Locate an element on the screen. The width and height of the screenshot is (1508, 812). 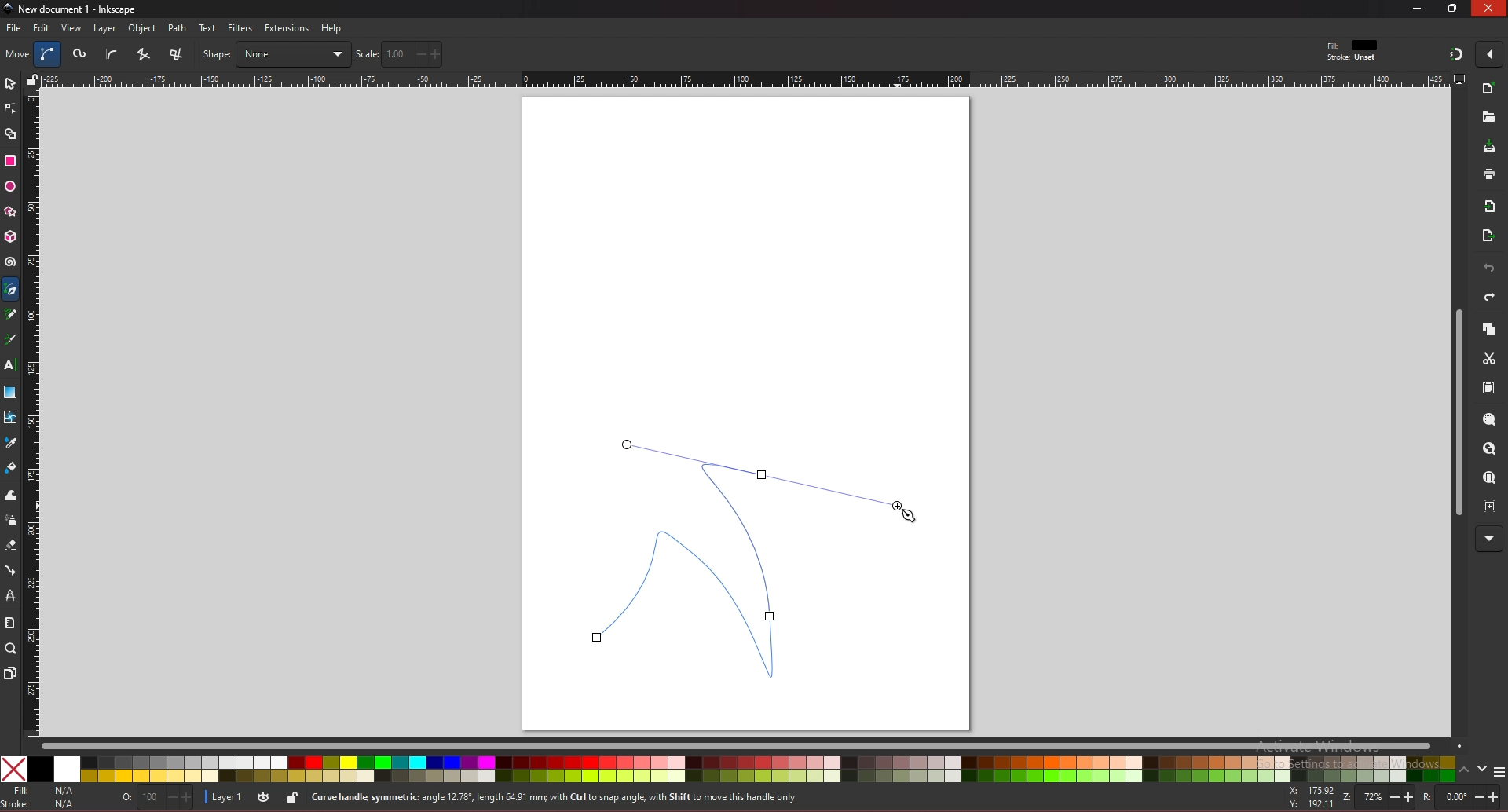
layer is located at coordinates (104, 28).